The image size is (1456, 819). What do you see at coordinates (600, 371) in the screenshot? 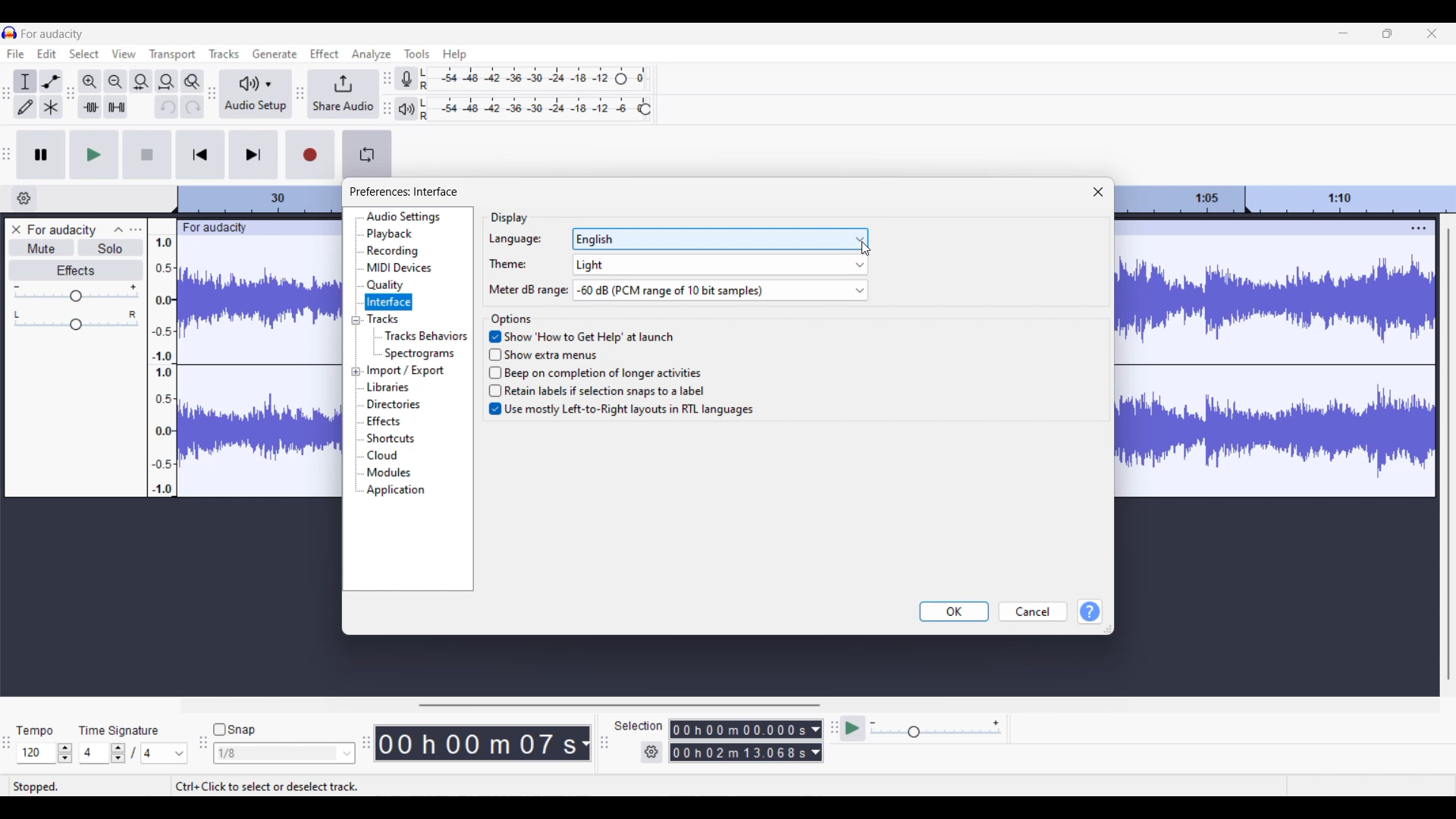
I see `Beep on completion of longer activities` at bounding box center [600, 371].